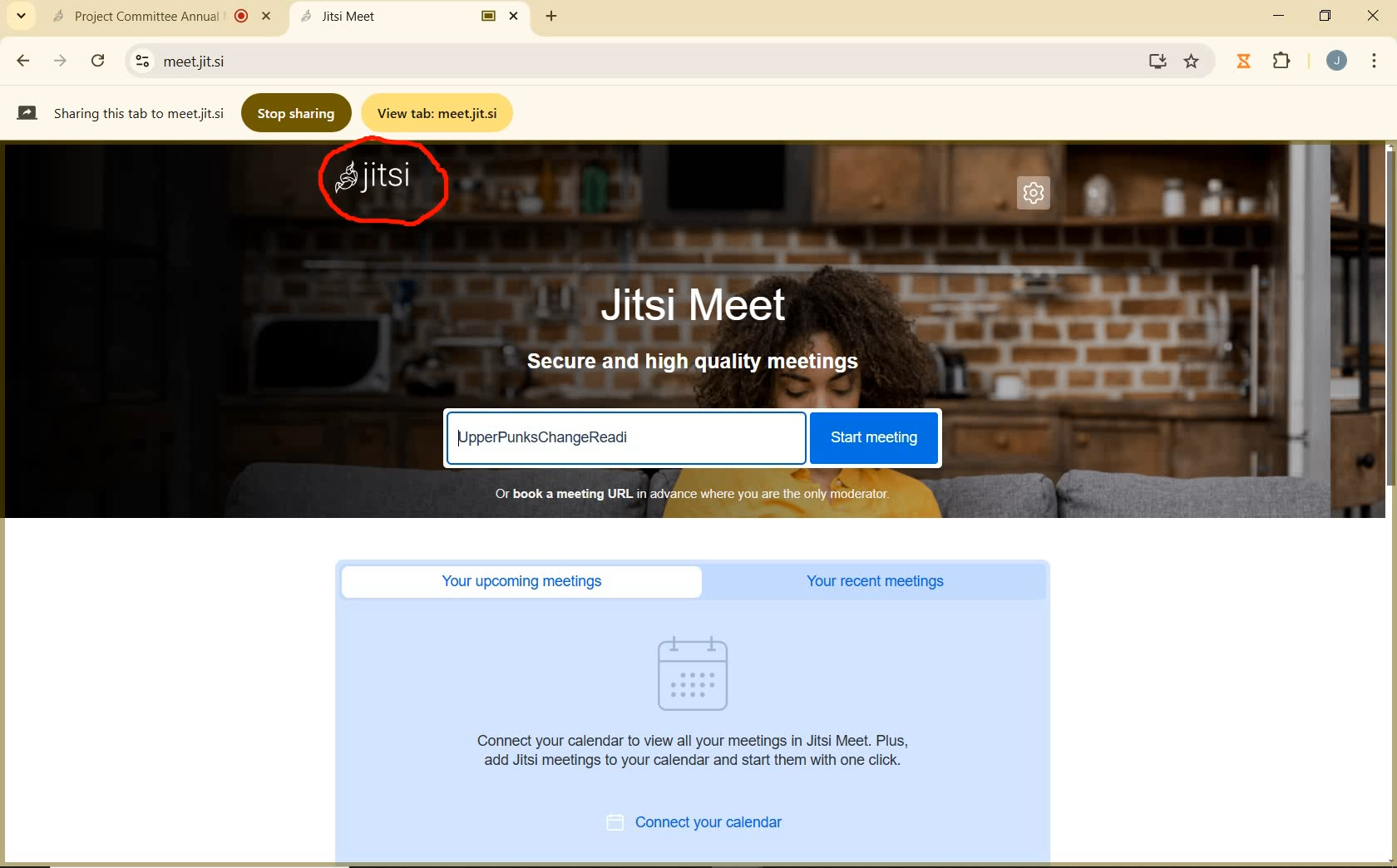  Describe the element at coordinates (159, 16) in the screenshot. I see `Project Committee Annual` at that location.